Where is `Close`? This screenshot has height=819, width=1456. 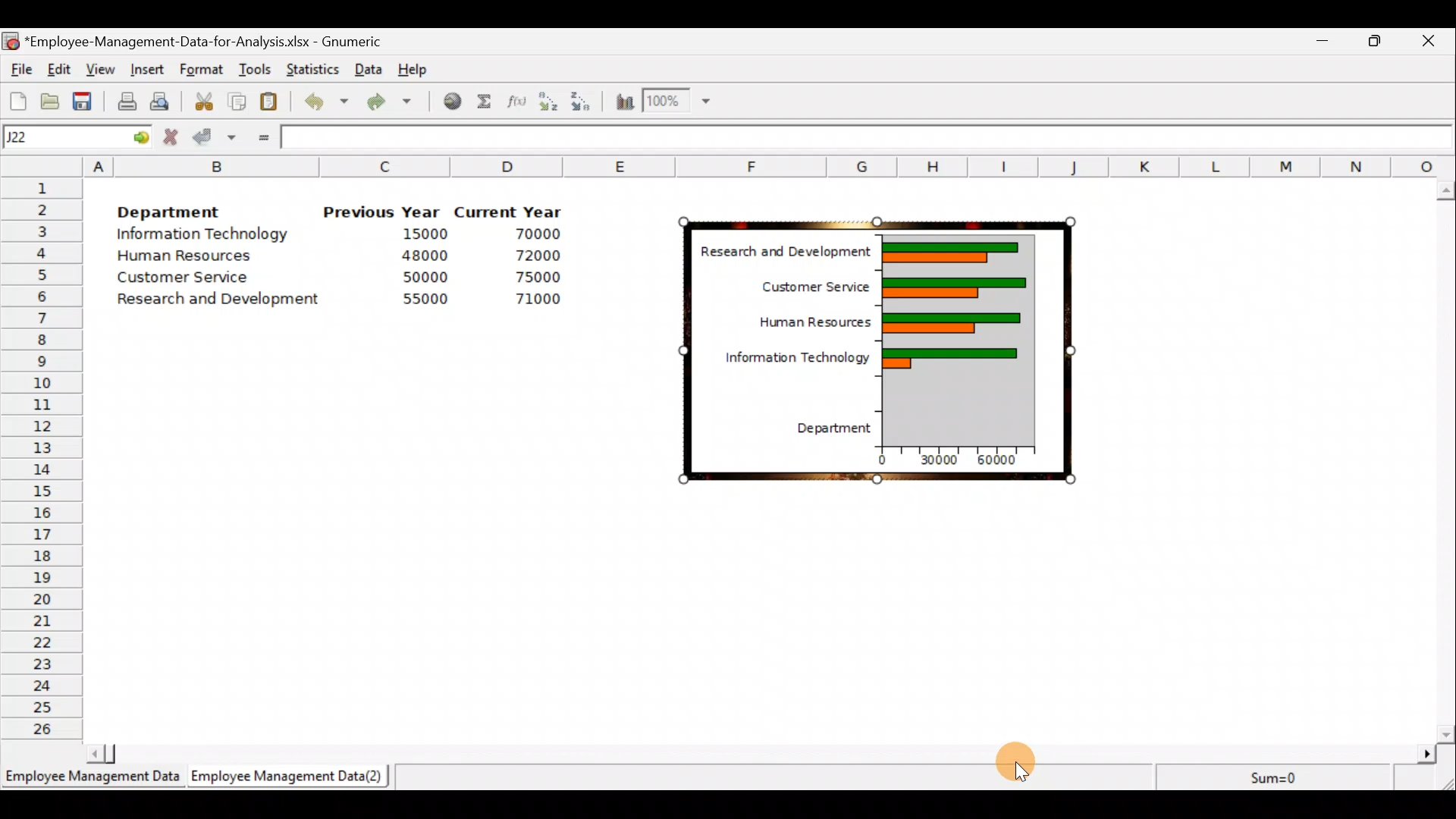
Close is located at coordinates (1432, 40).